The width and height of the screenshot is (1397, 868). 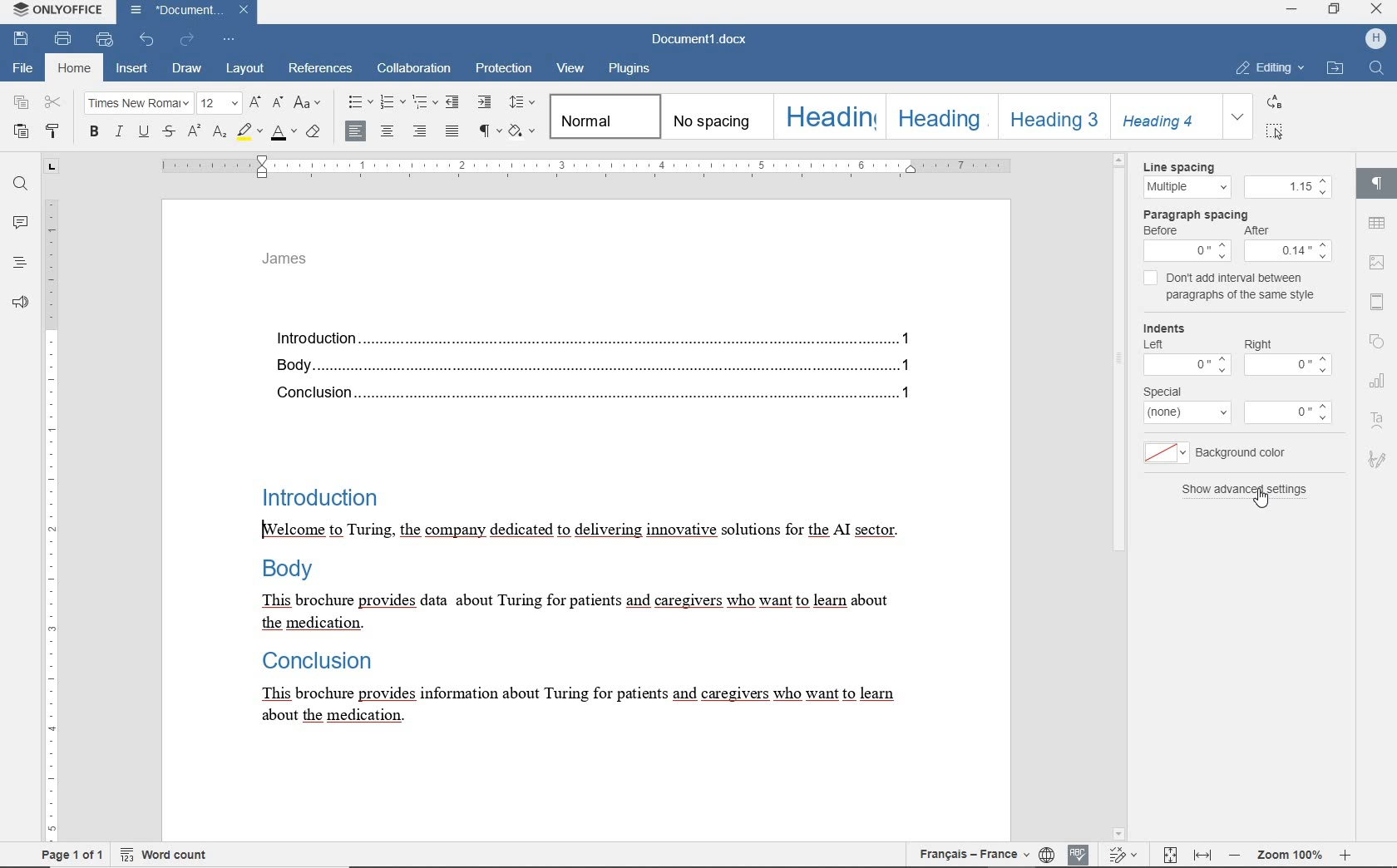 I want to click on scroll bar, so click(x=1121, y=496).